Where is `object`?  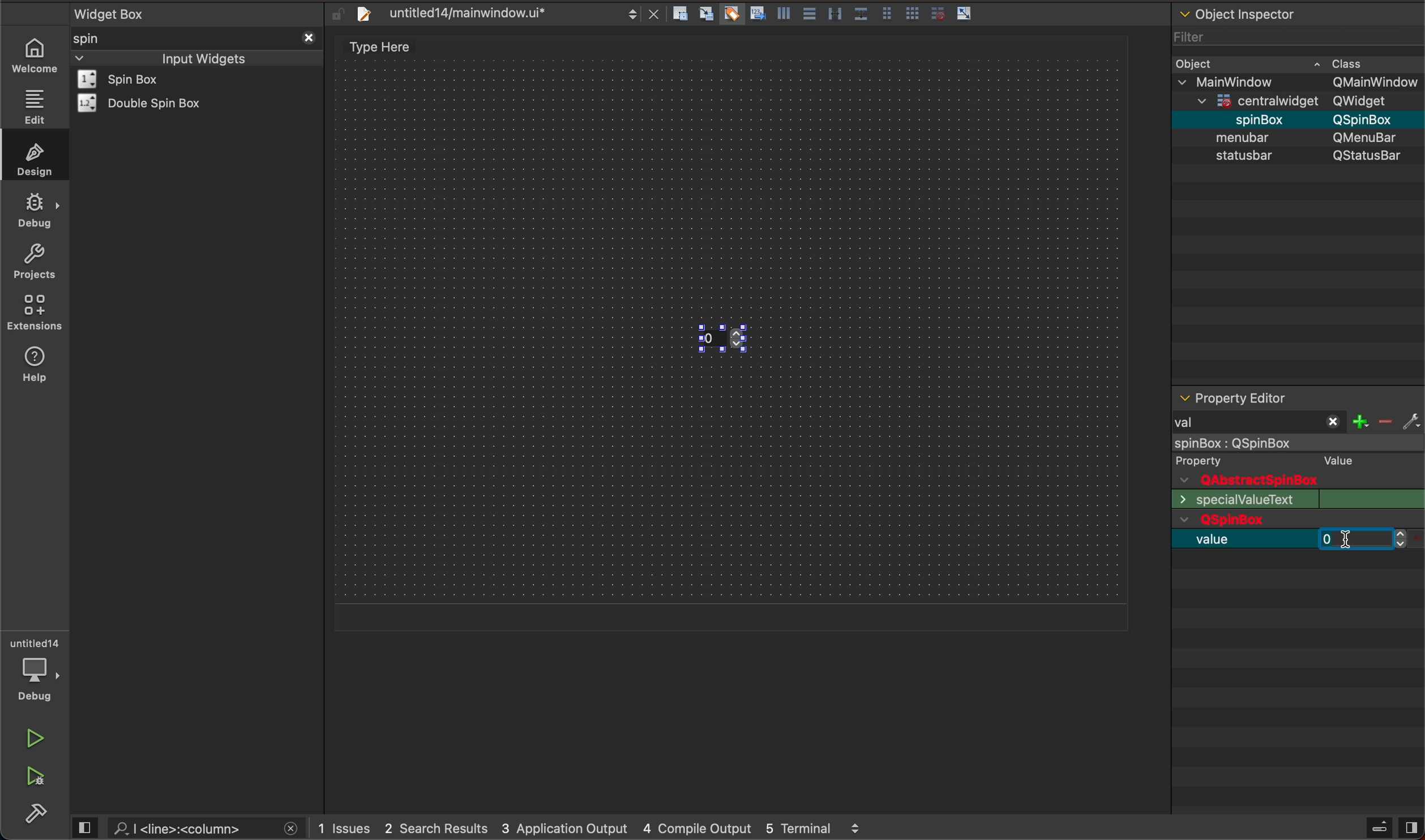 object is located at coordinates (1198, 62).